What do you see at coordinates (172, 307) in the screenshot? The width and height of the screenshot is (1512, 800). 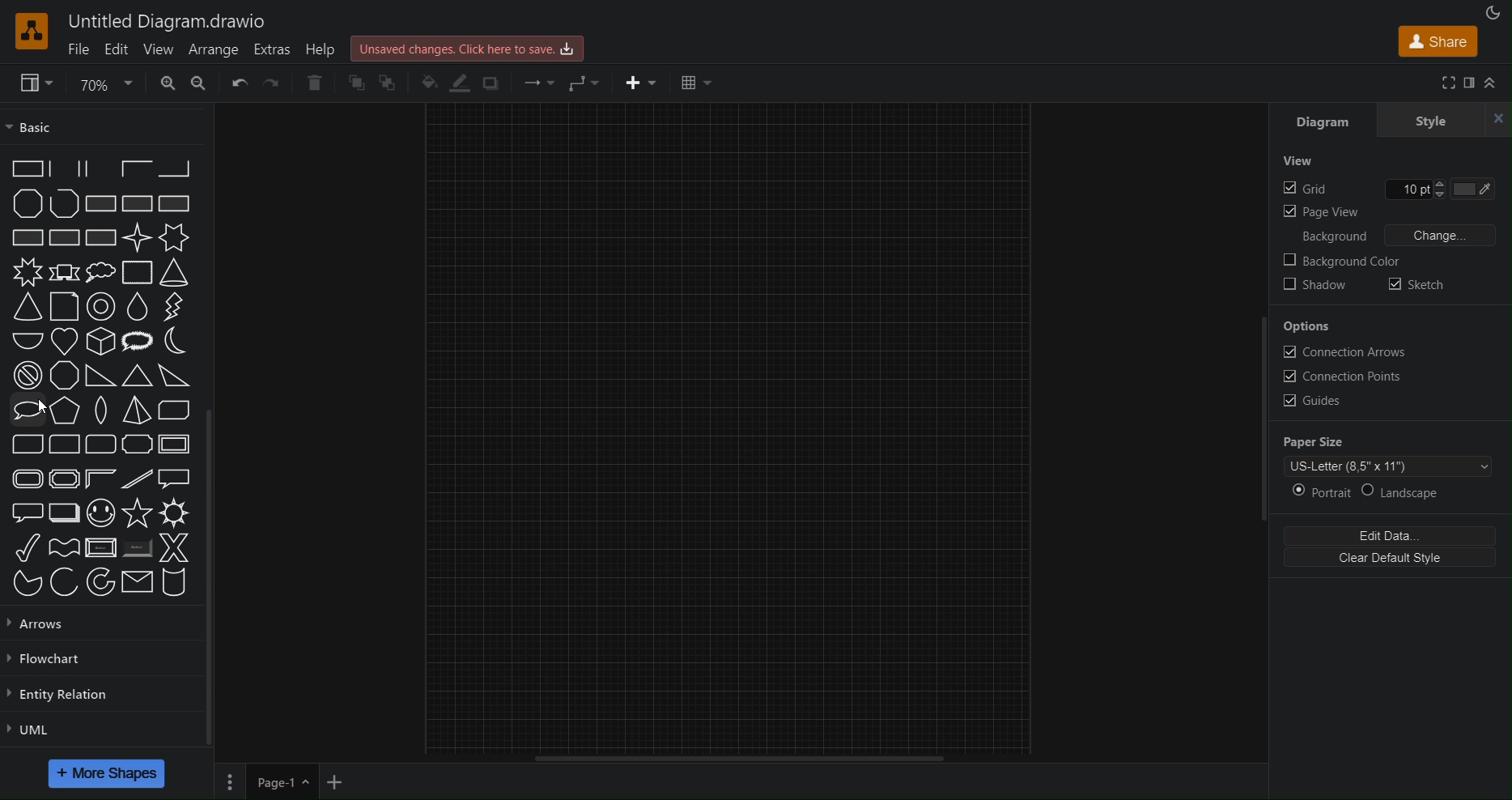 I see `Flash` at bounding box center [172, 307].